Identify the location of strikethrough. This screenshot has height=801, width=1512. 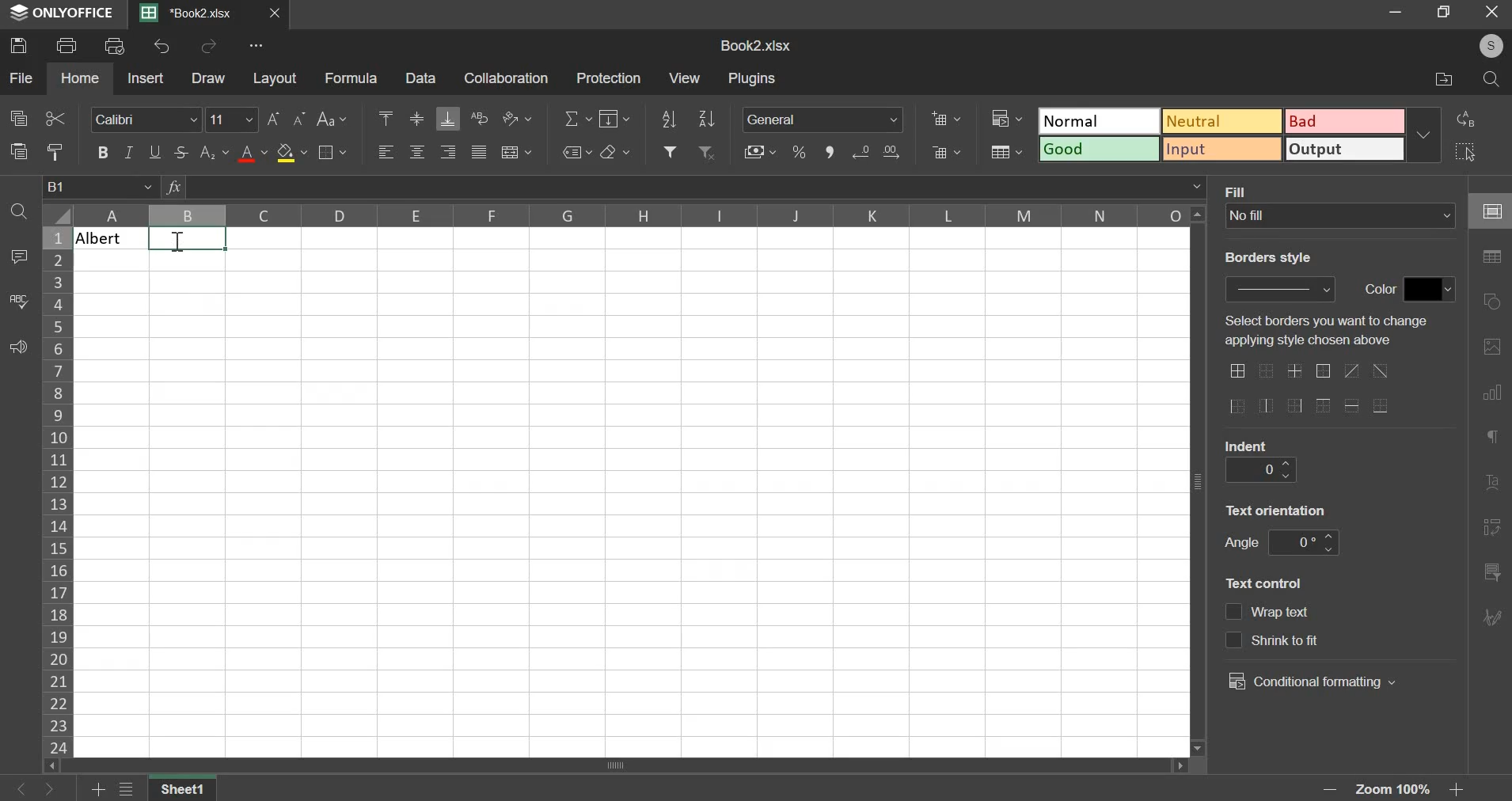
(184, 152).